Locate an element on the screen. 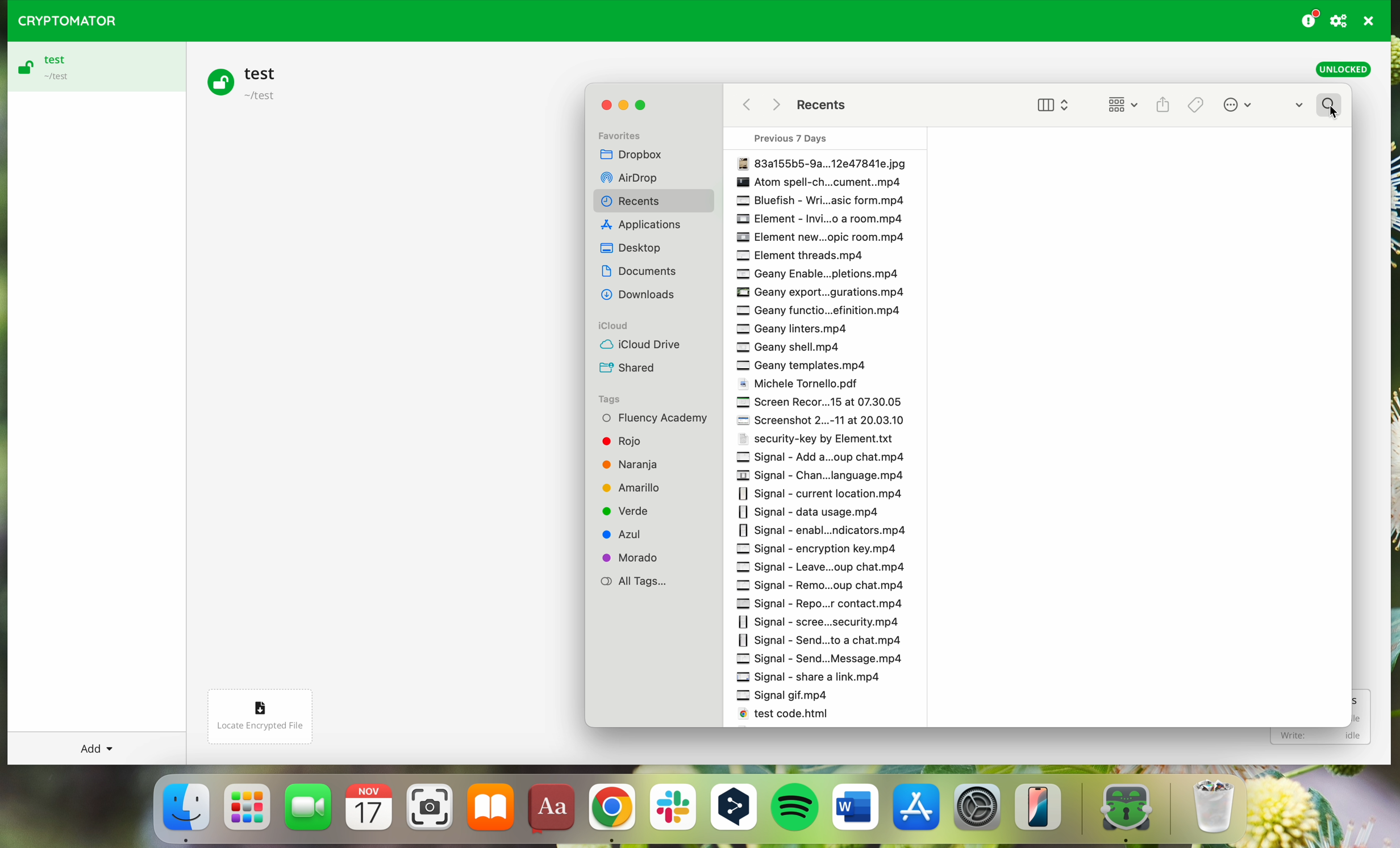 The image size is (1400, 848). maximize is located at coordinates (644, 105).